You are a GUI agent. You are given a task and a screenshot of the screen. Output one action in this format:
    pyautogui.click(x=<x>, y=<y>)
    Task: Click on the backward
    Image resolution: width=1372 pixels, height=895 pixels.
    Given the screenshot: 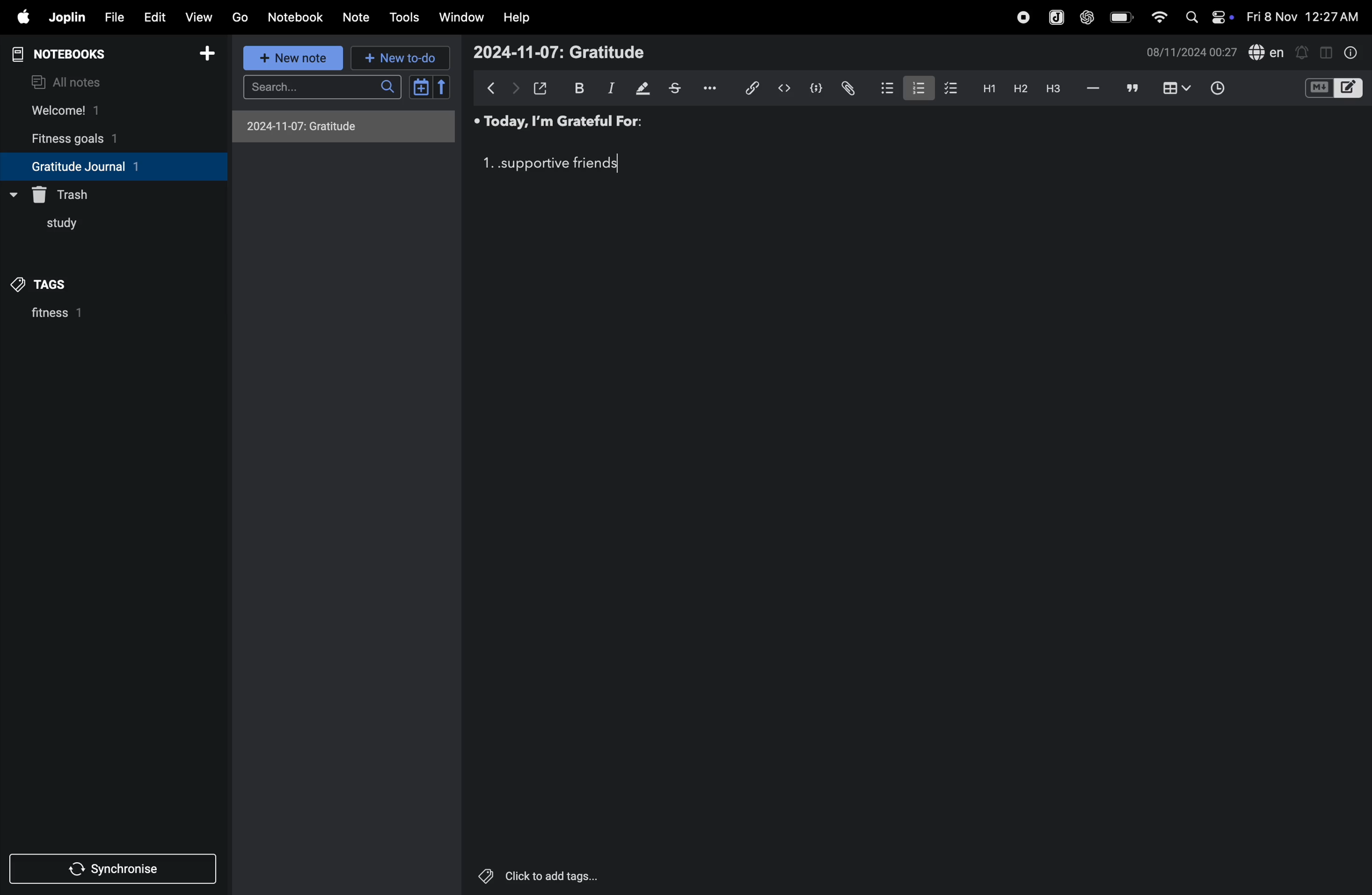 What is the action you would take?
    pyautogui.click(x=492, y=88)
    